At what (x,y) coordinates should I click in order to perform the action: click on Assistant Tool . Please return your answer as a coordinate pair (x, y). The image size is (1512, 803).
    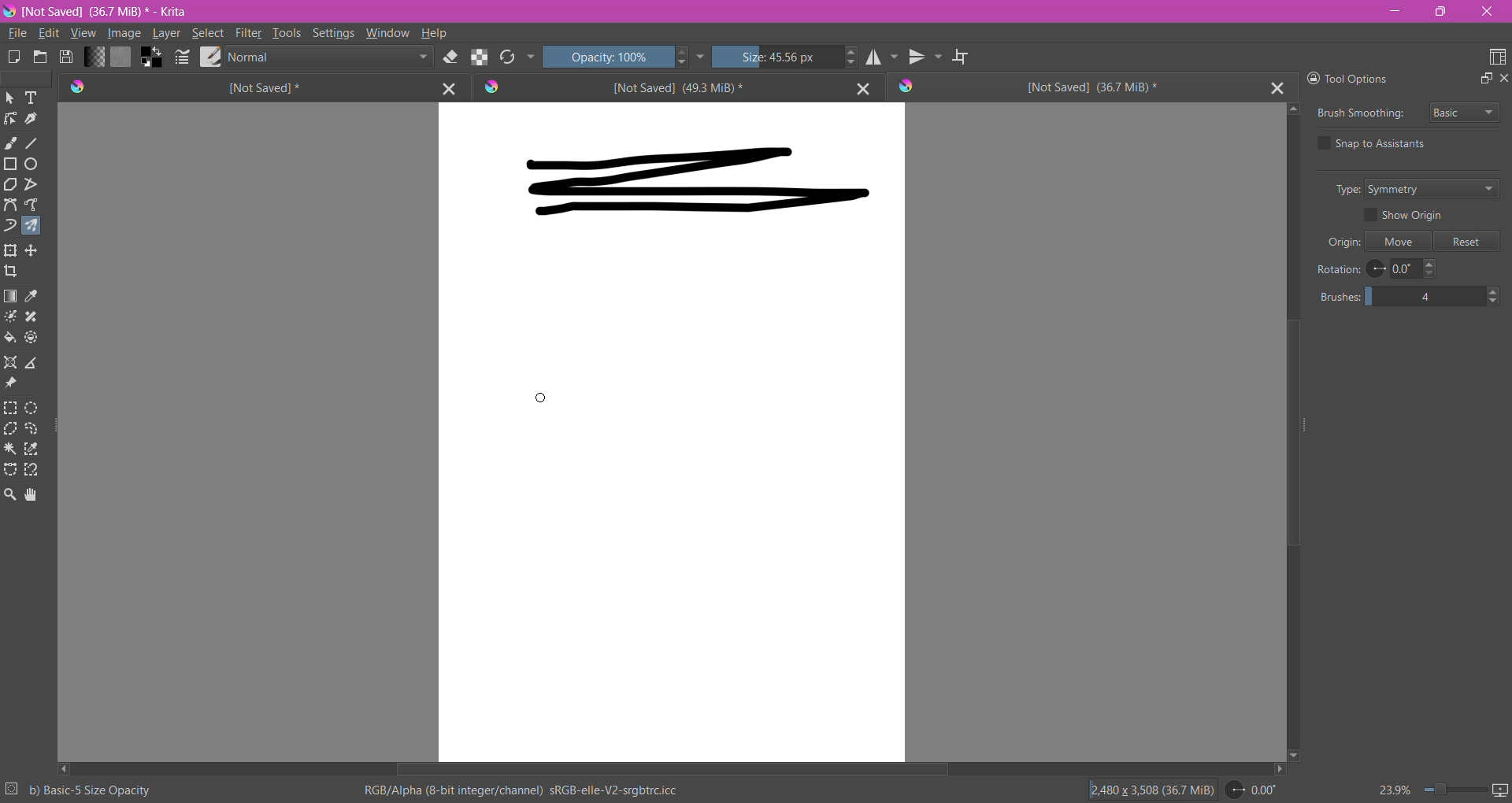
    Looking at the image, I should click on (11, 362).